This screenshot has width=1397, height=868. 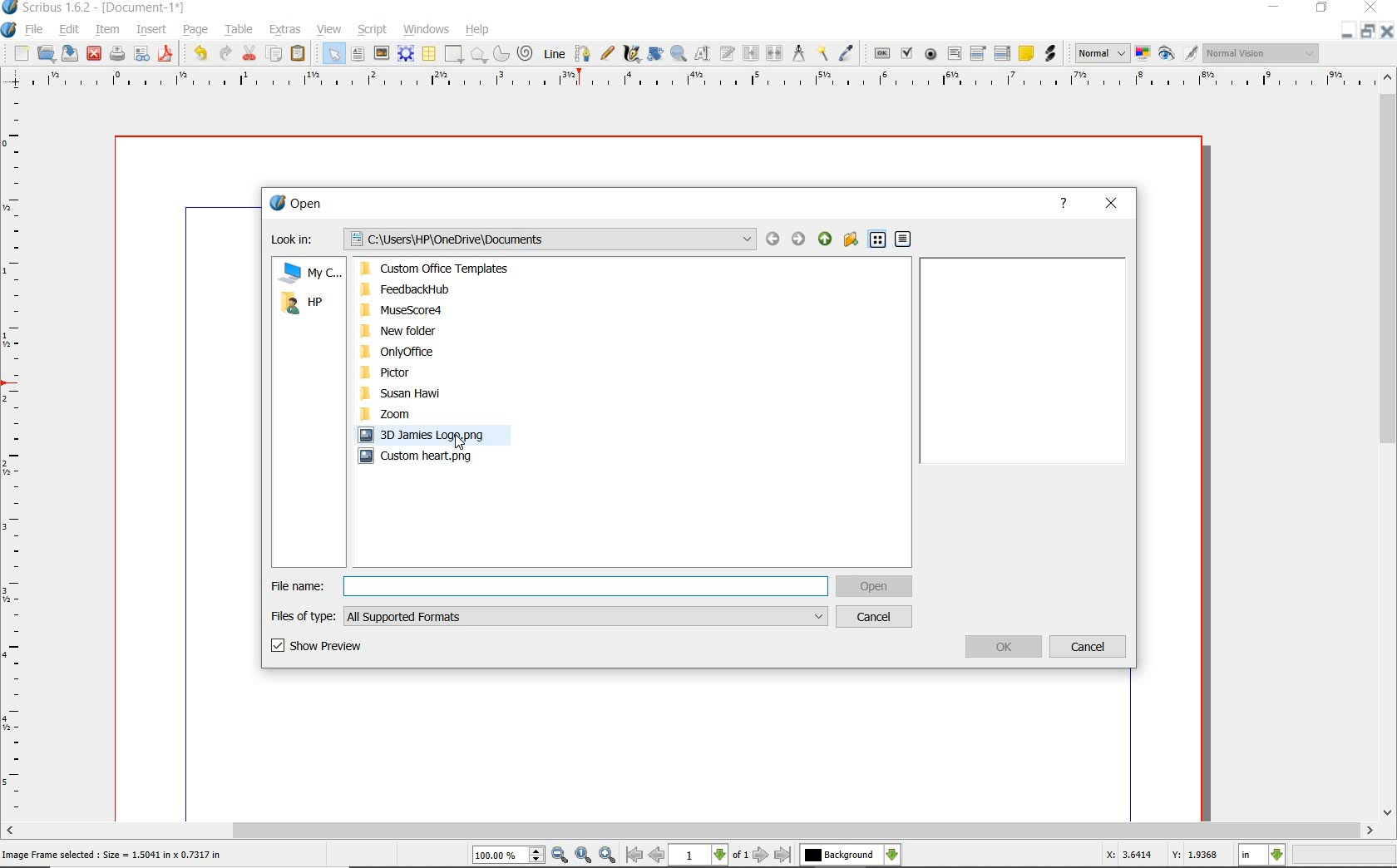 What do you see at coordinates (332, 30) in the screenshot?
I see `view ` at bounding box center [332, 30].